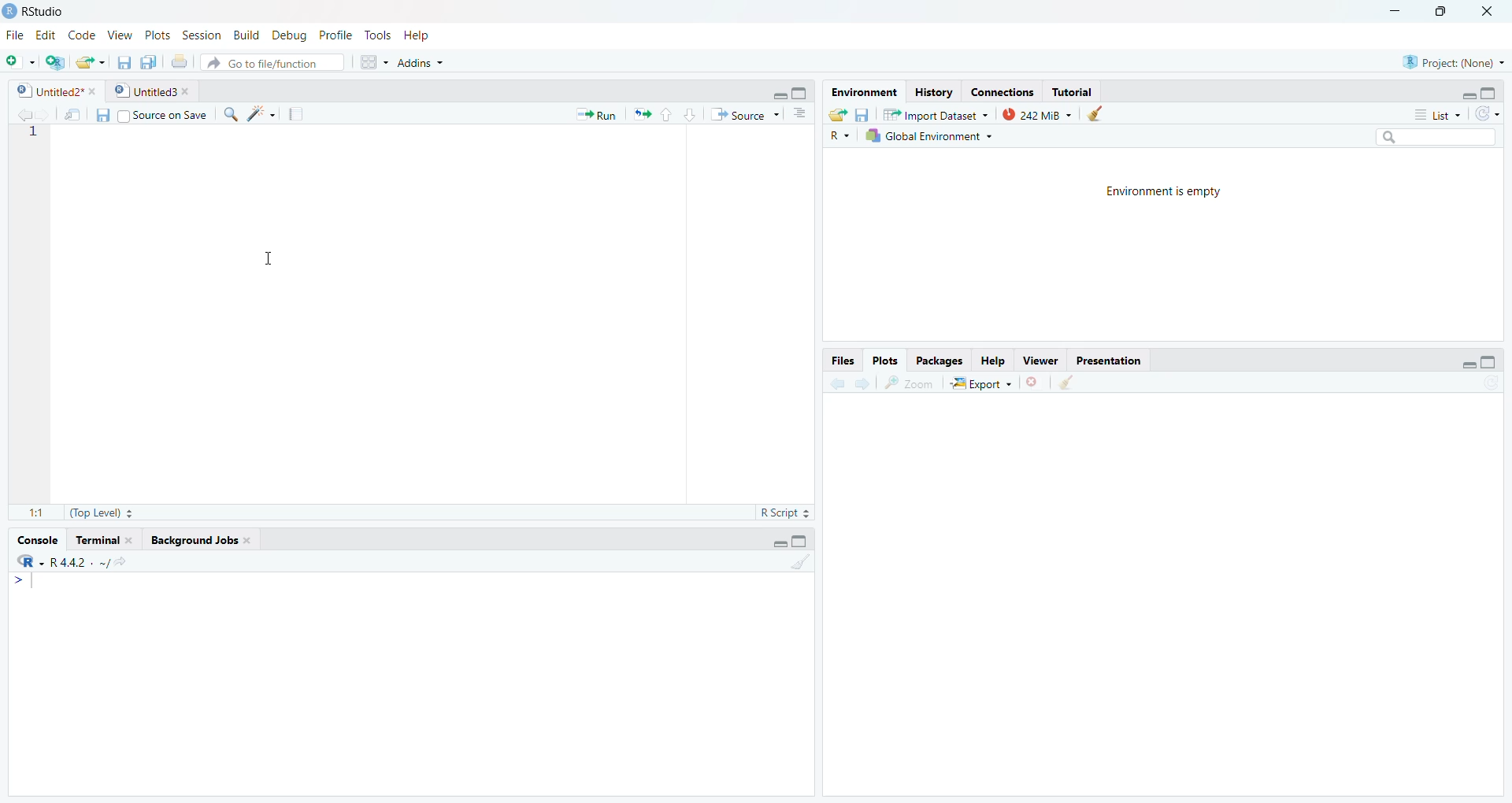 The width and height of the screenshot is (1512, 803). Describe the element at coordinates (862, 383) in the screenshot. I see `move forward` at that location.